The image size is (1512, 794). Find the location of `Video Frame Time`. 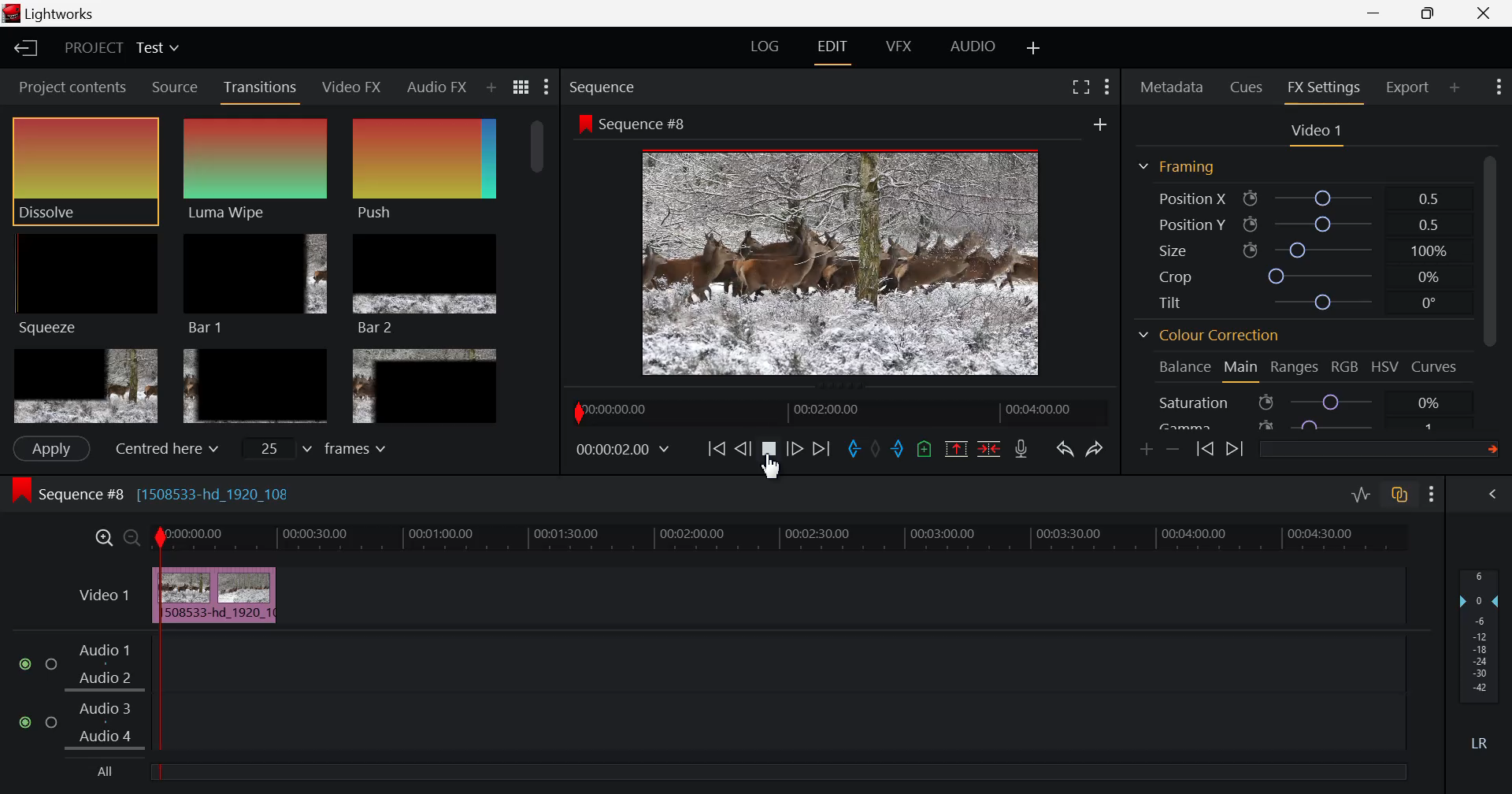

Video Frame Time is located at coordinates (624, 450).